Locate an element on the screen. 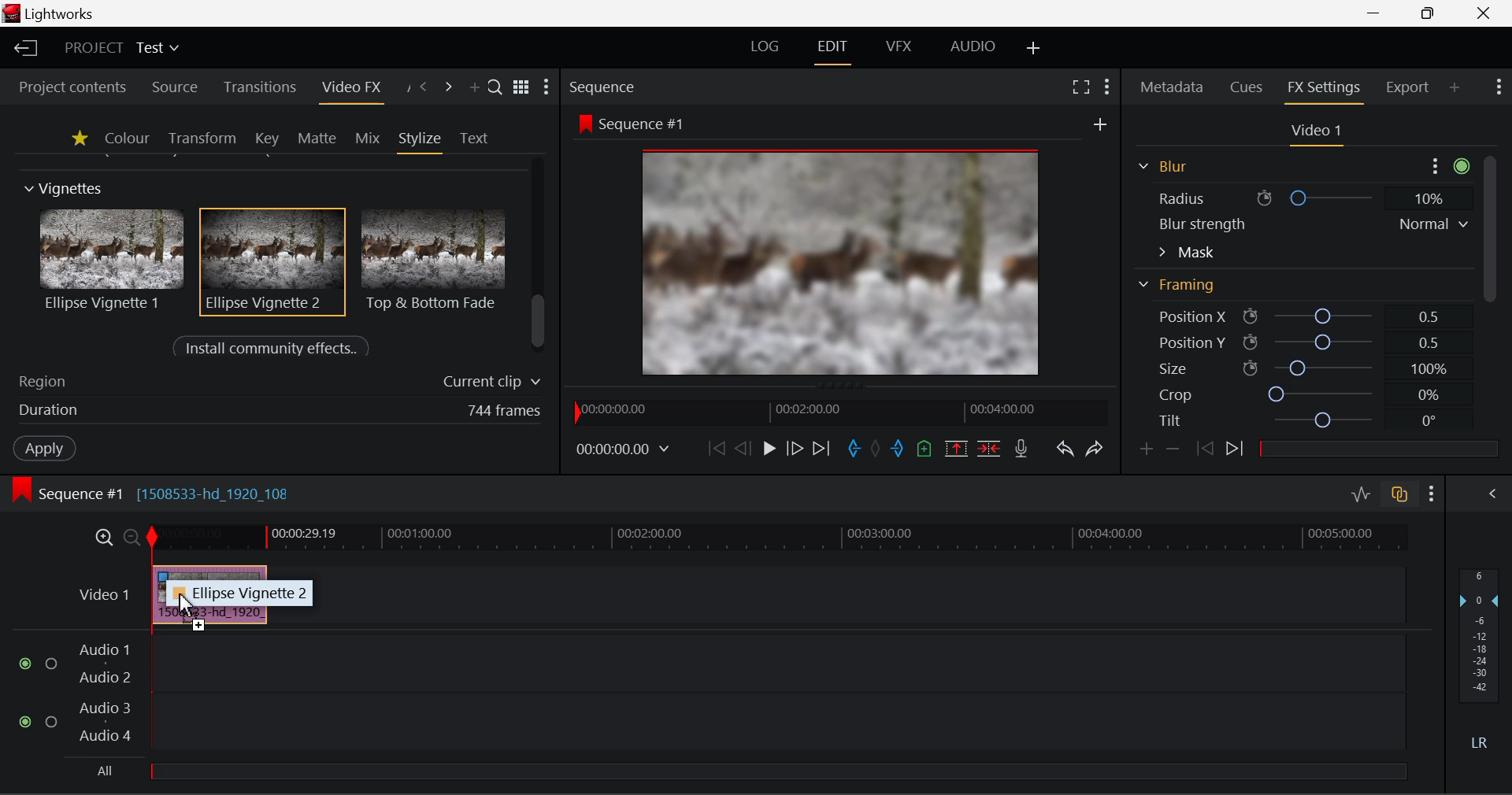 This screenshot has height=795, width=1512. Frame Time is located at coordinates (624, 448).